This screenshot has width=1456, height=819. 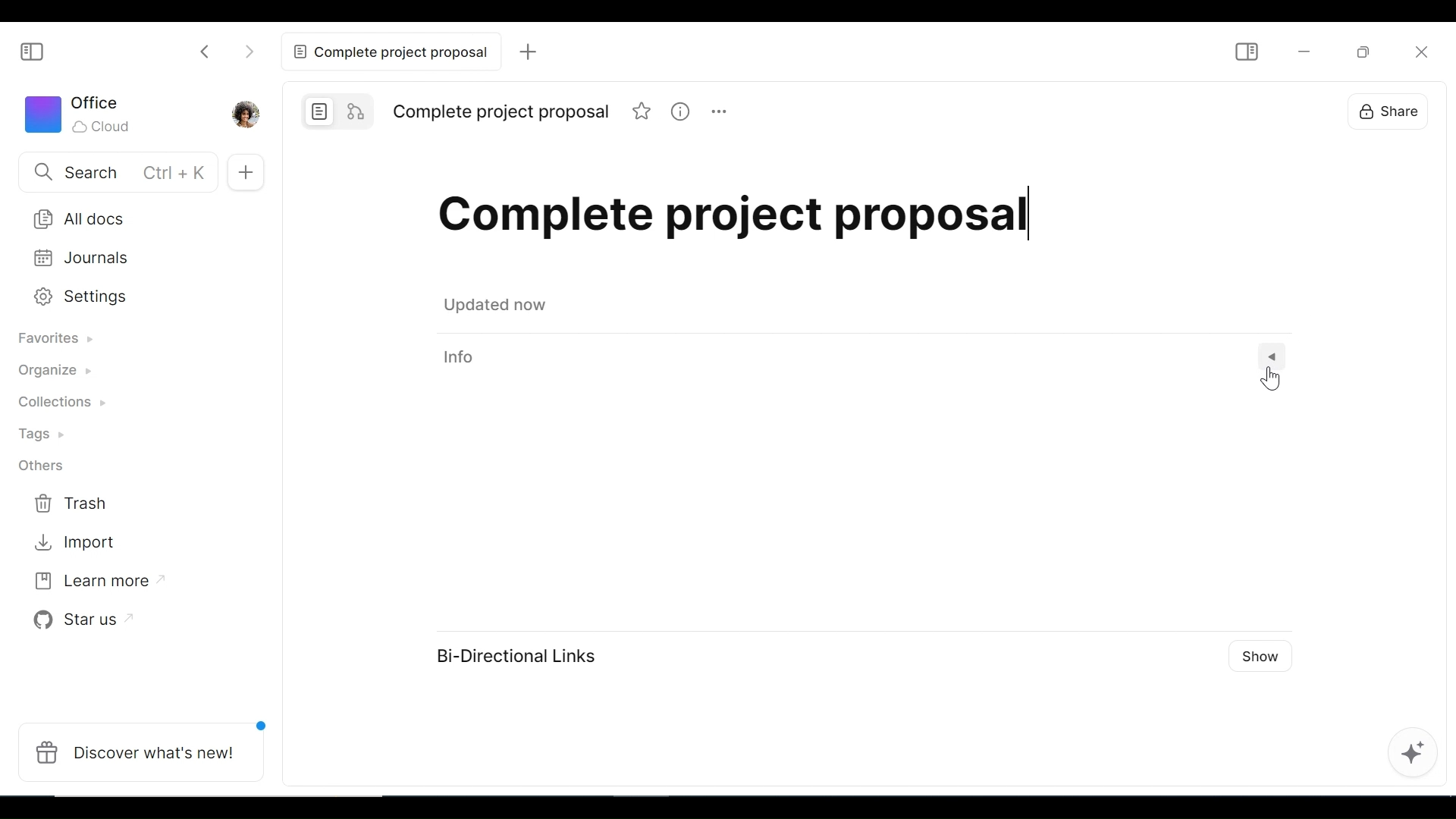 What do you see at coordinates (72, 544) in the screenshot?
I see `Import` at bounding box center [72, 544].